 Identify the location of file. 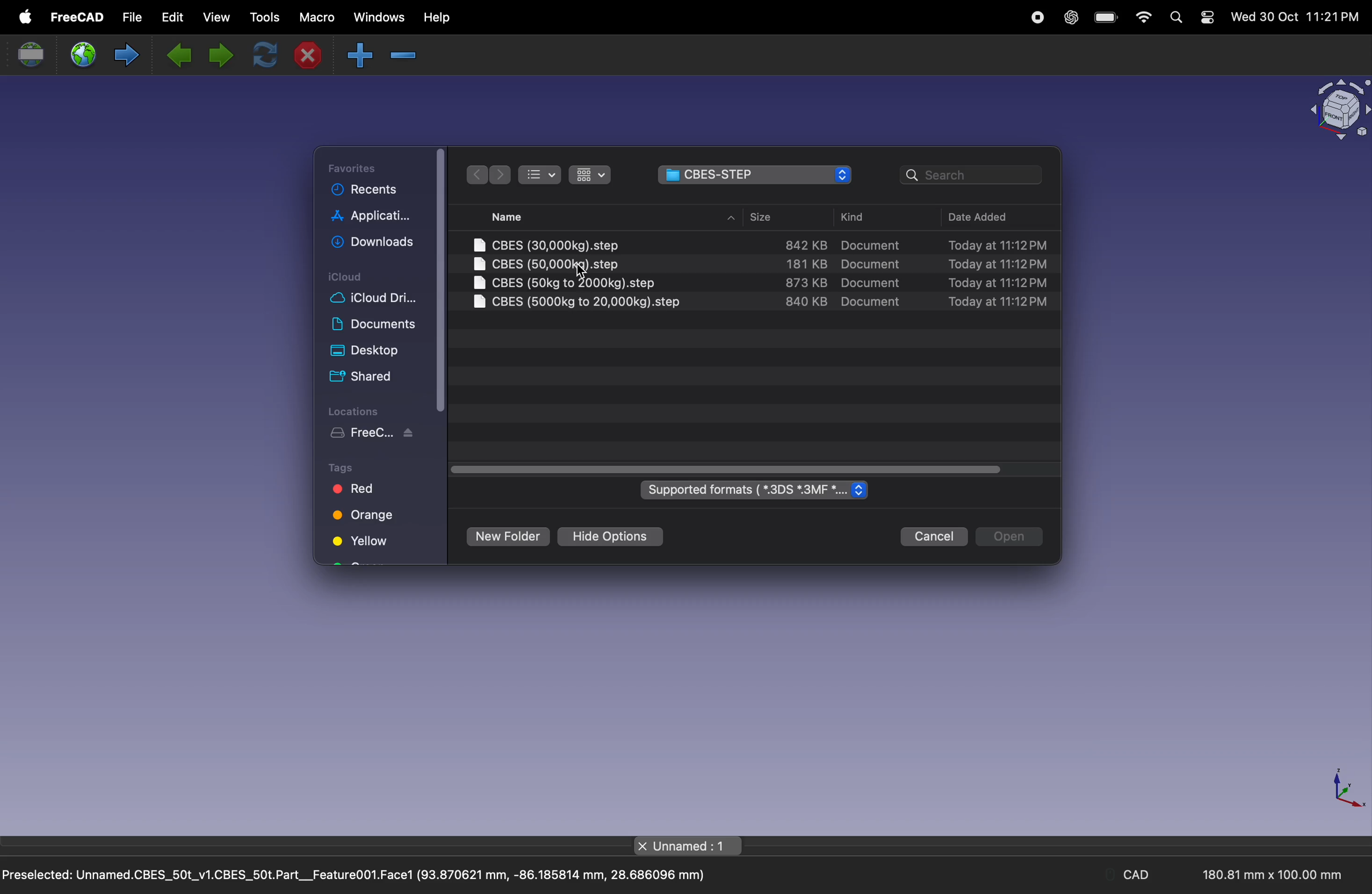
(135, 18).